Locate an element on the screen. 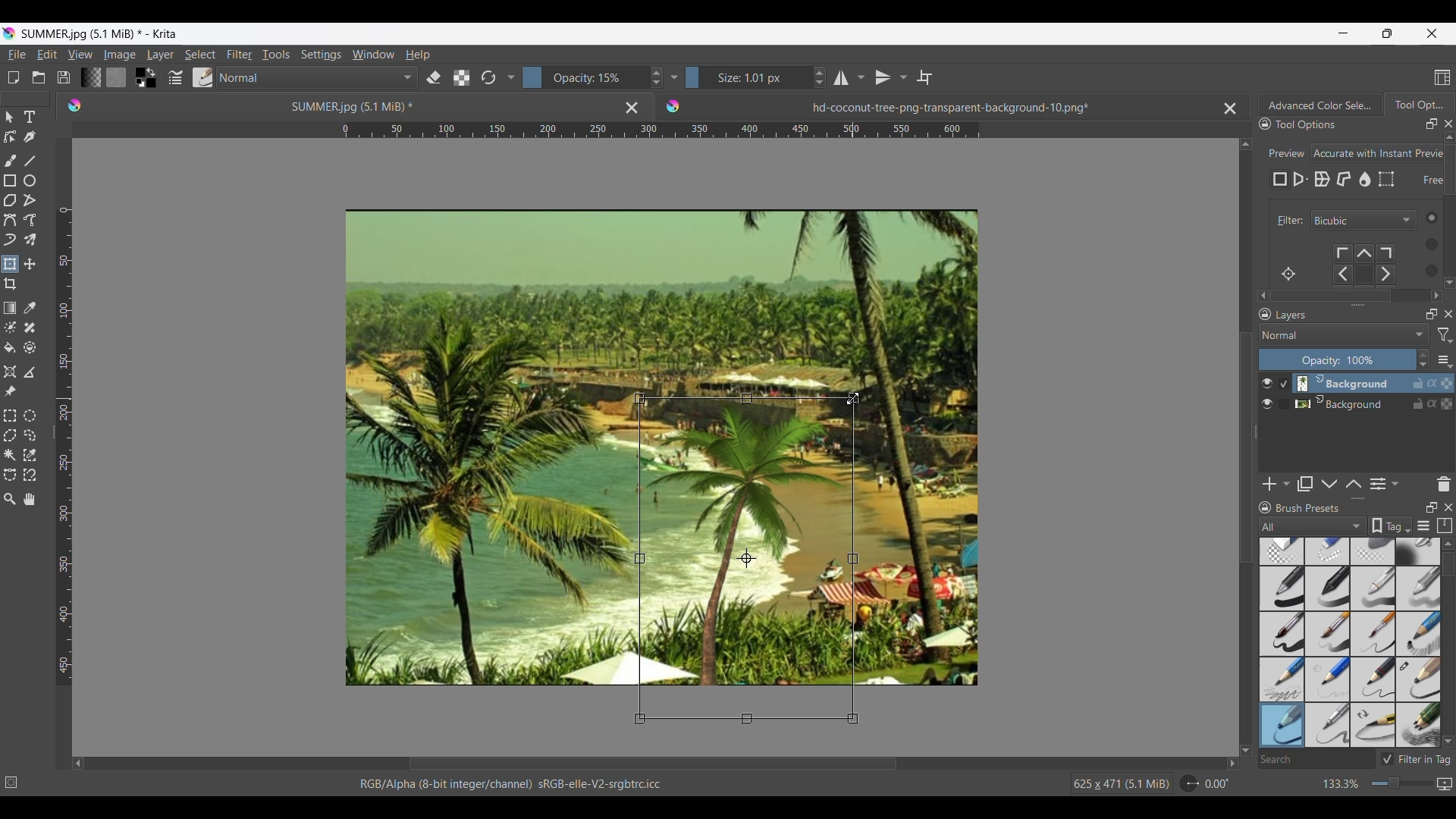 The width and height of the screenshot is (1456, 819). Selected layer is located at coordinates (1341, 383).